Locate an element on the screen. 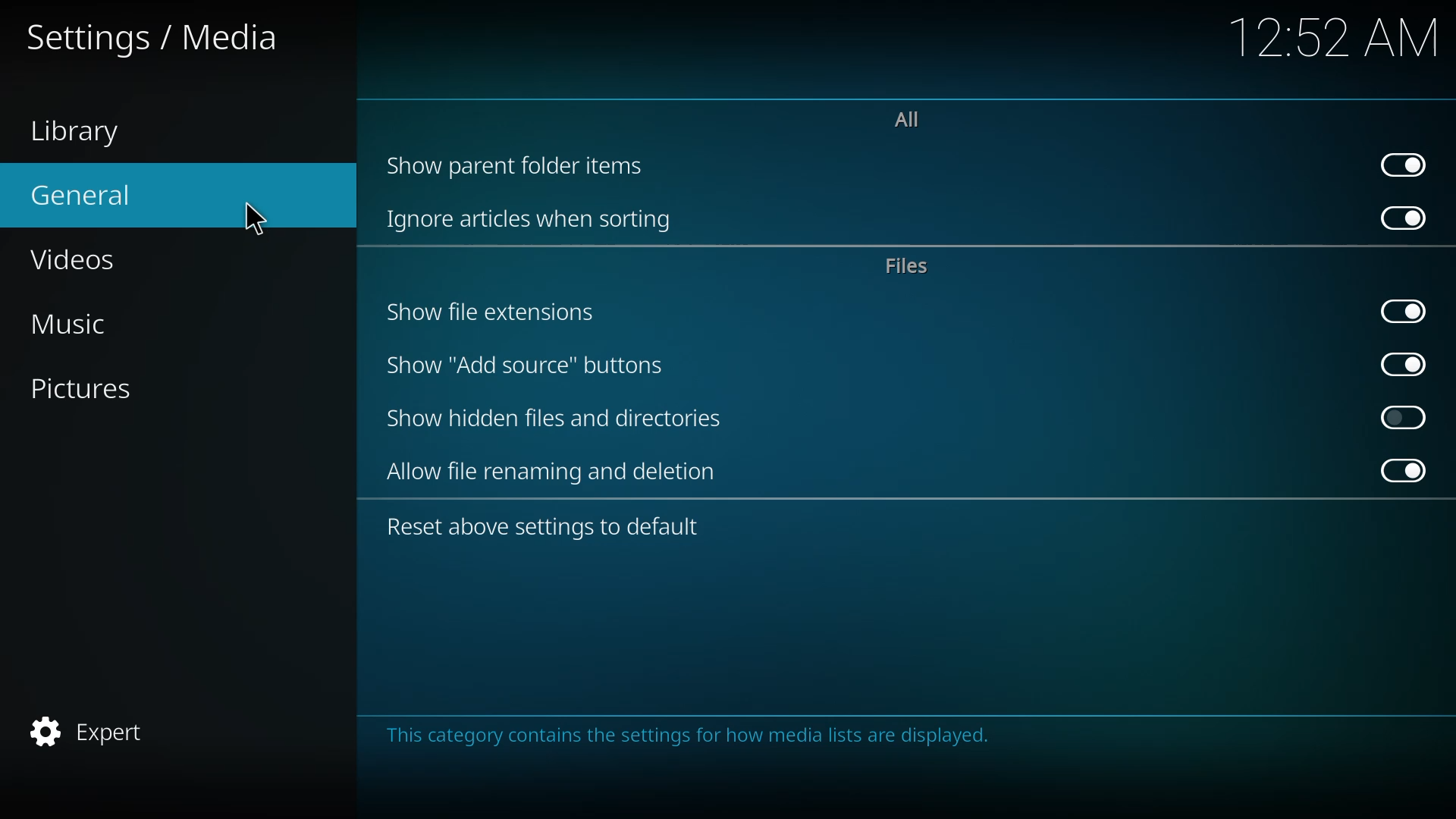  click to enable is located at coordinates (1404, 418).